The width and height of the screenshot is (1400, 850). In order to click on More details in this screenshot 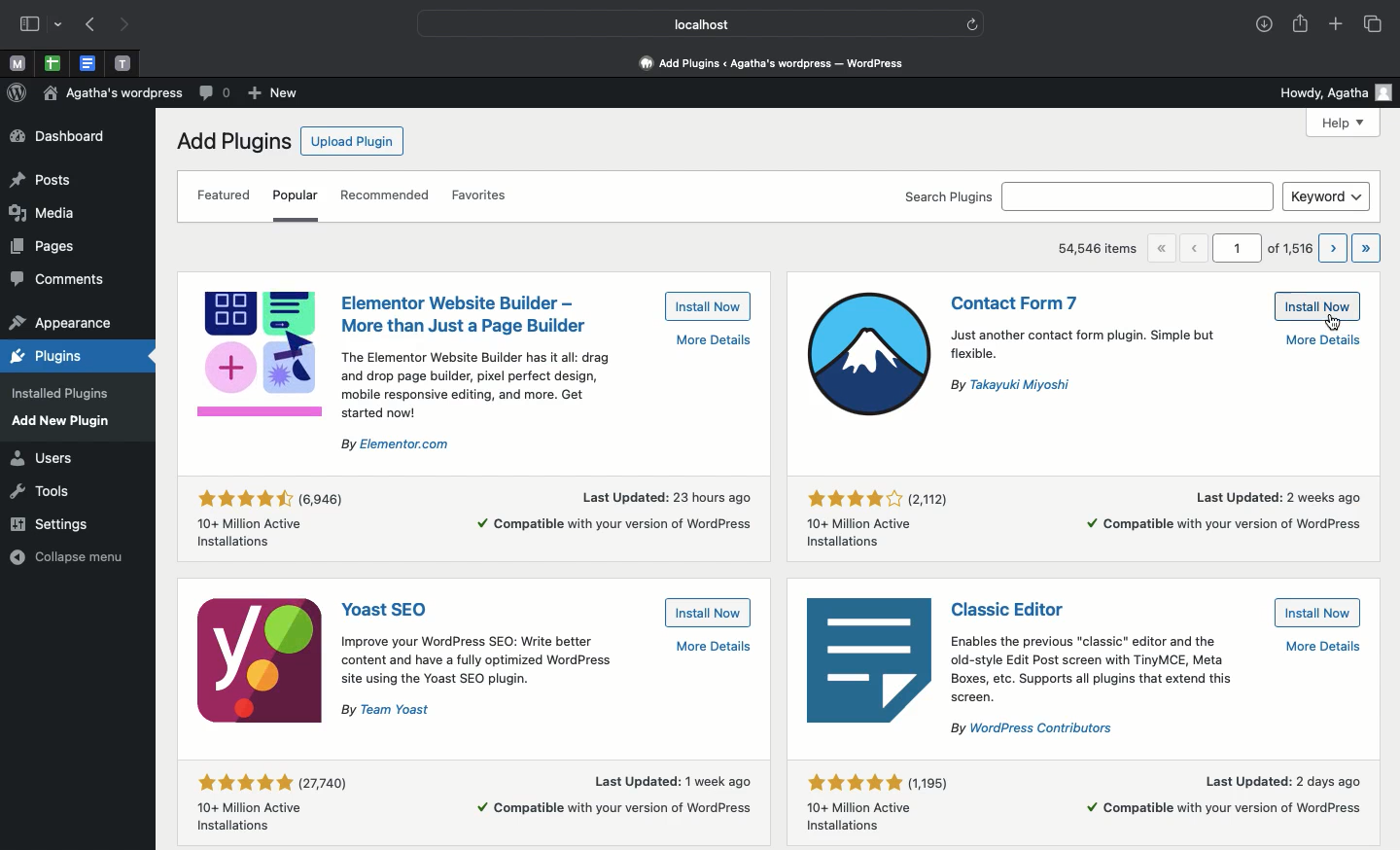, I will do `click(1225, 514)`.